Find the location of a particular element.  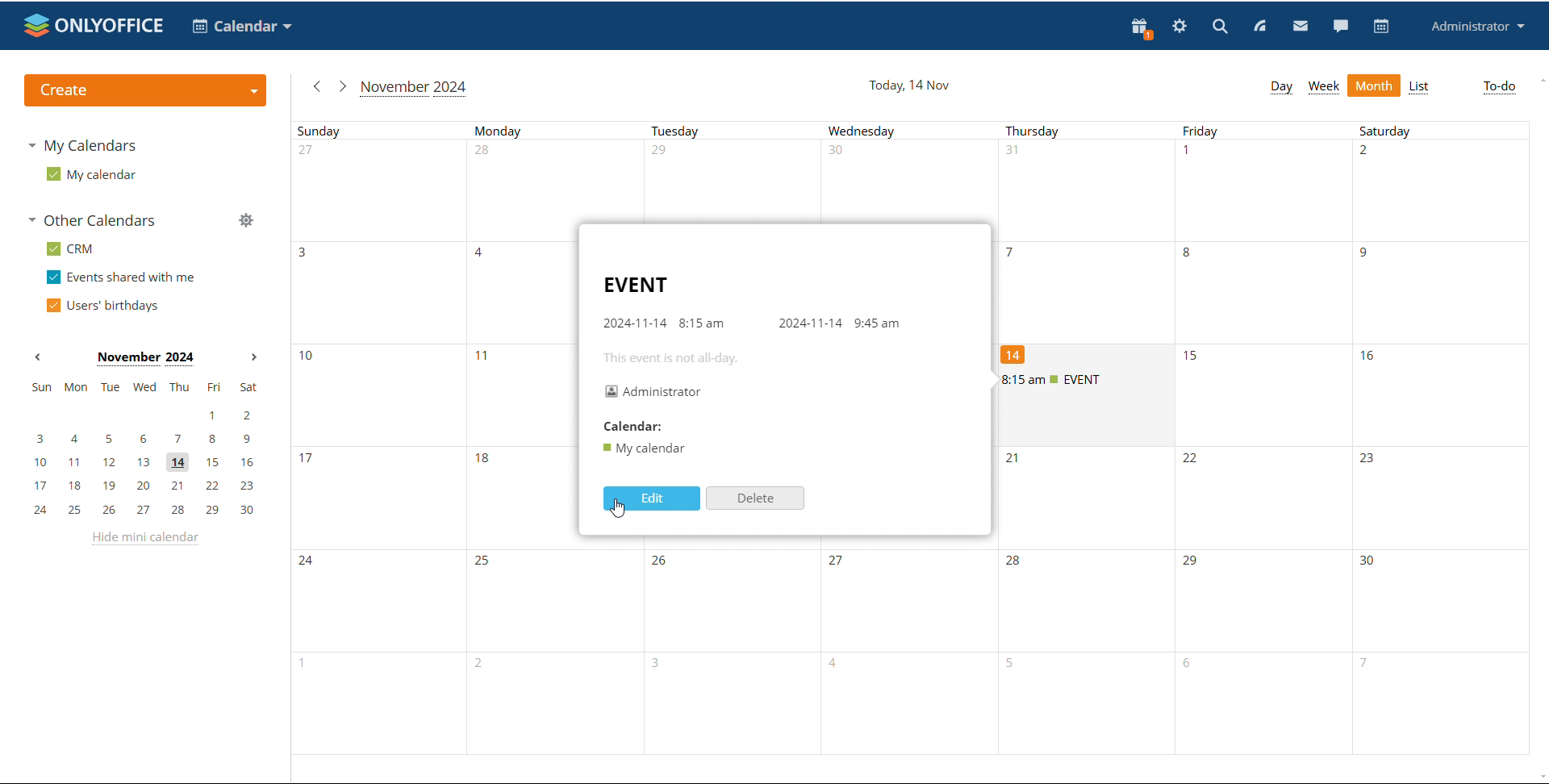

select application is located at coordinates (240, 27).